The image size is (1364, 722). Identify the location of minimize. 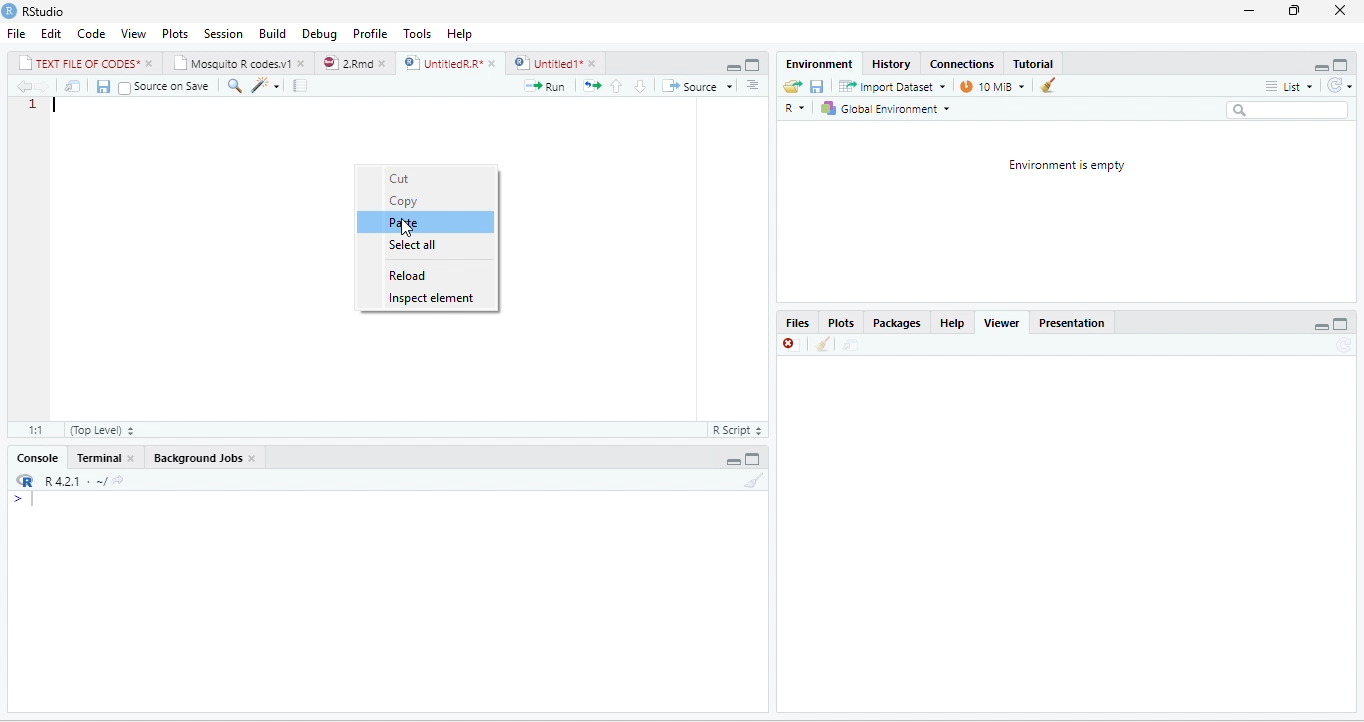
(754, 64).